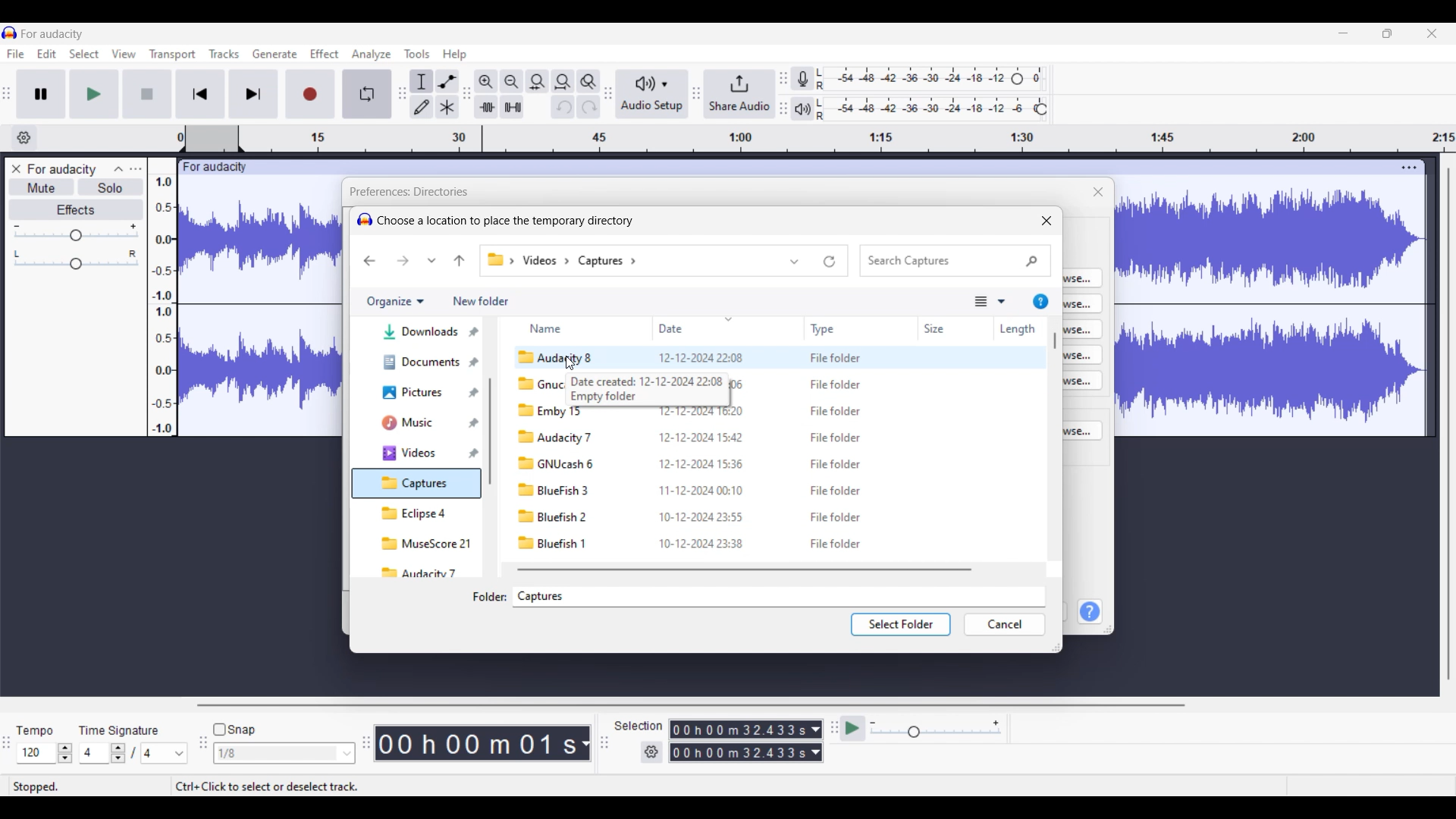  I want to click on Indicates selection duration, so click(639, 726).